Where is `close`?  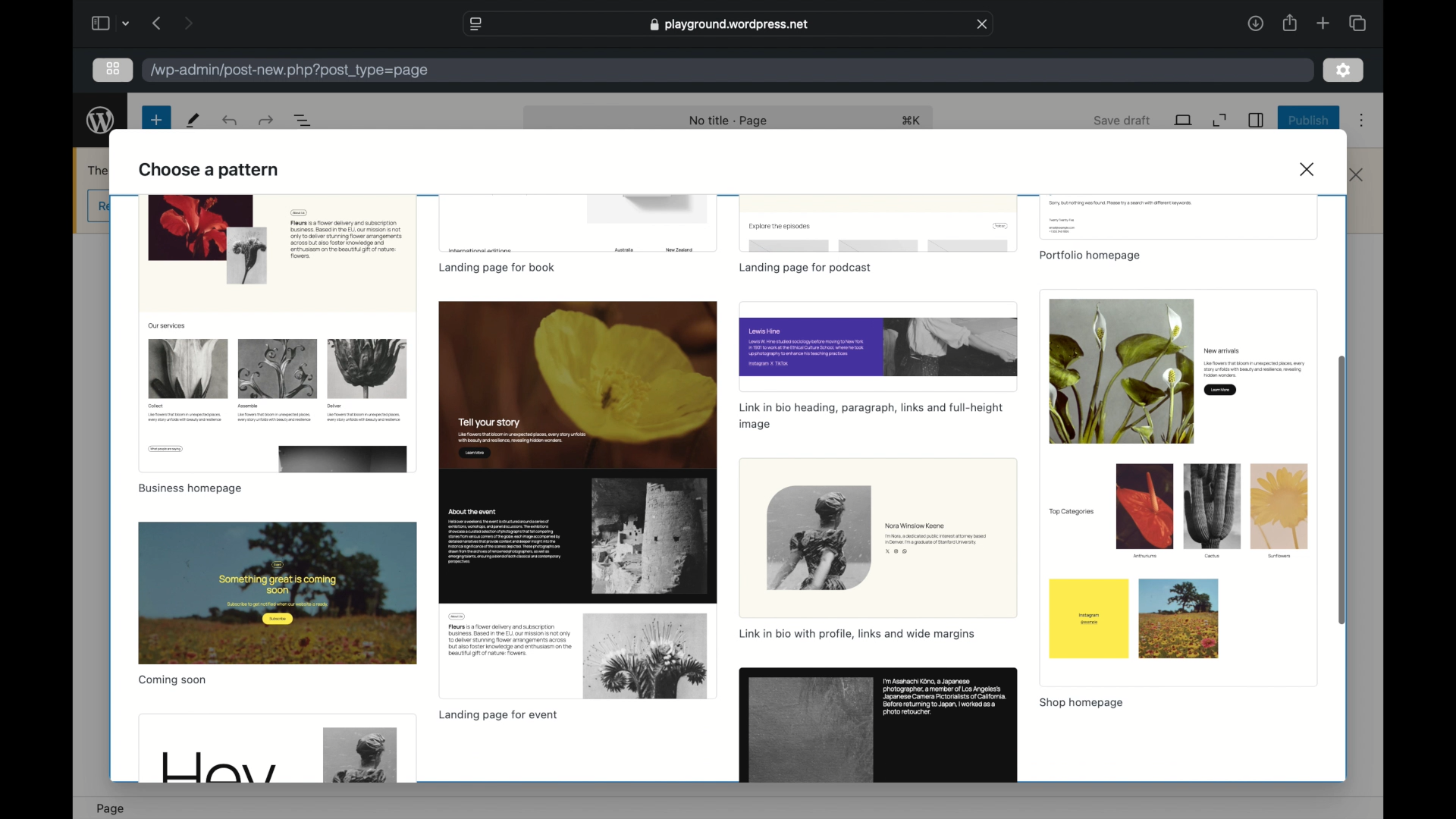
close is located at coordinates (982, 24).